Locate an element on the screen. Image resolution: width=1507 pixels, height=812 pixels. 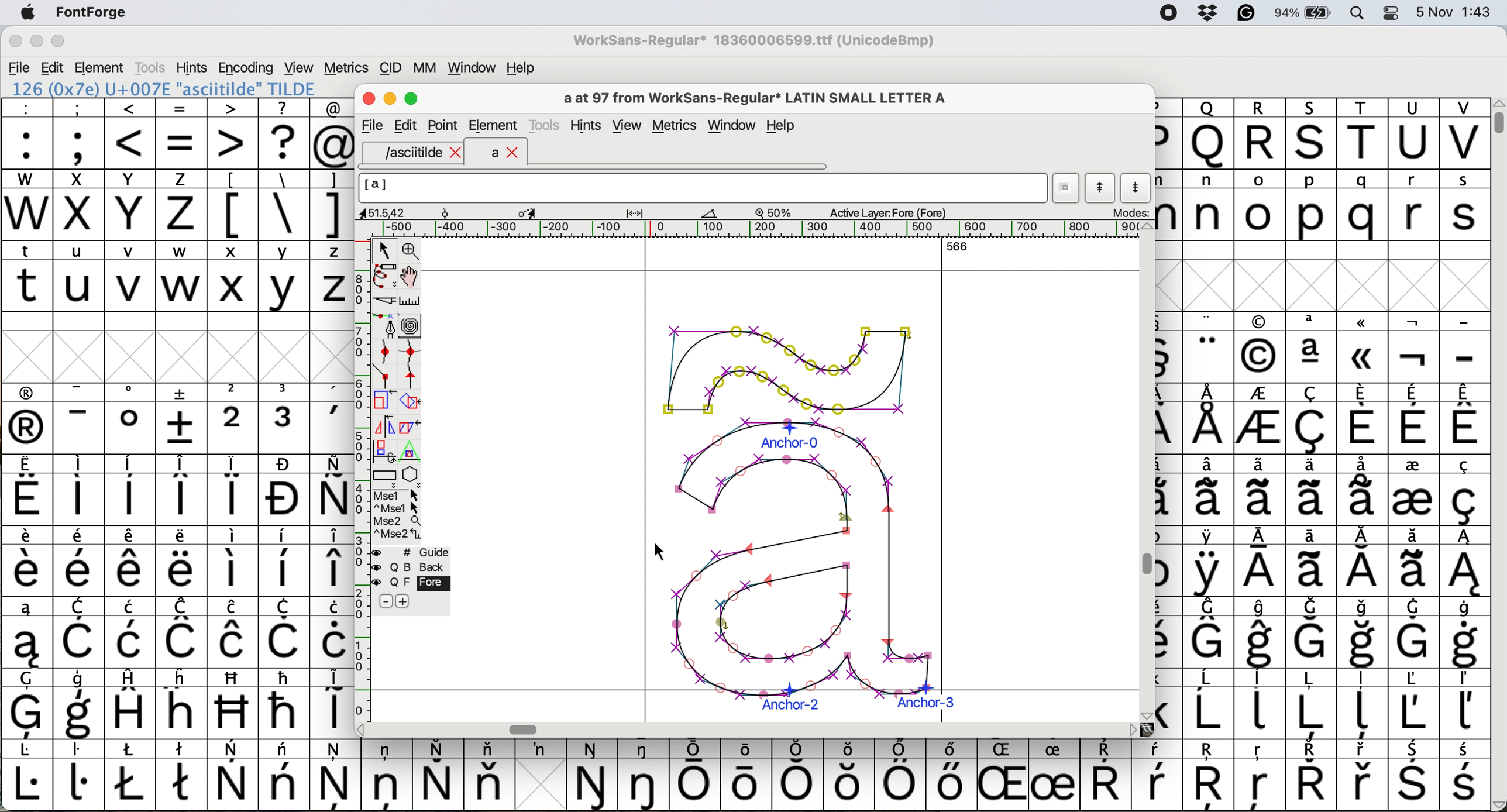
symbol is located at coordinates (1261, 702).